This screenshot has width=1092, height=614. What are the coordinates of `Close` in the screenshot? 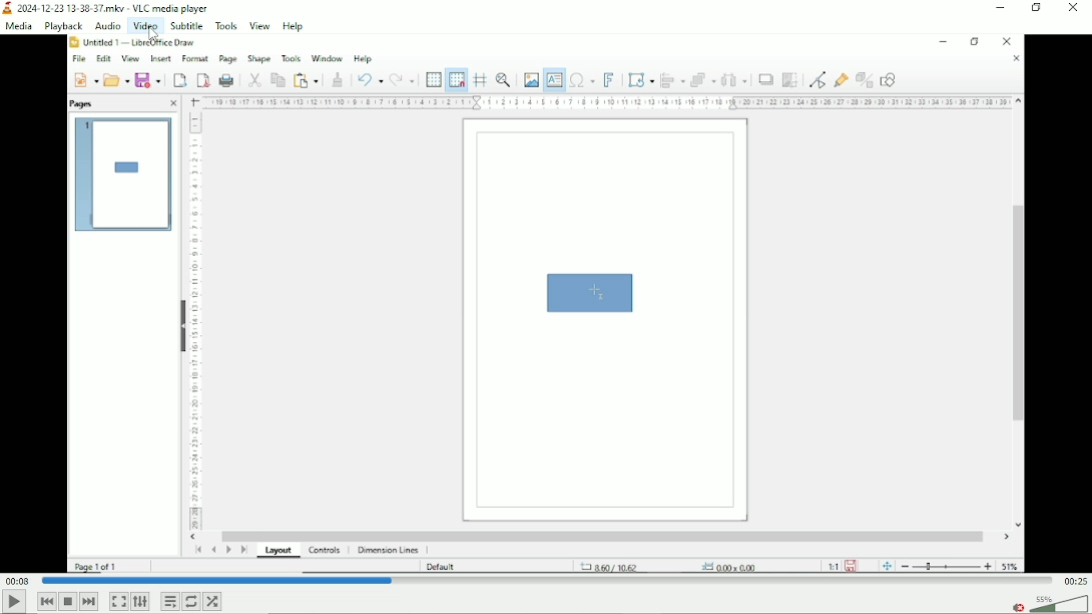 It's located at (1075, 10).